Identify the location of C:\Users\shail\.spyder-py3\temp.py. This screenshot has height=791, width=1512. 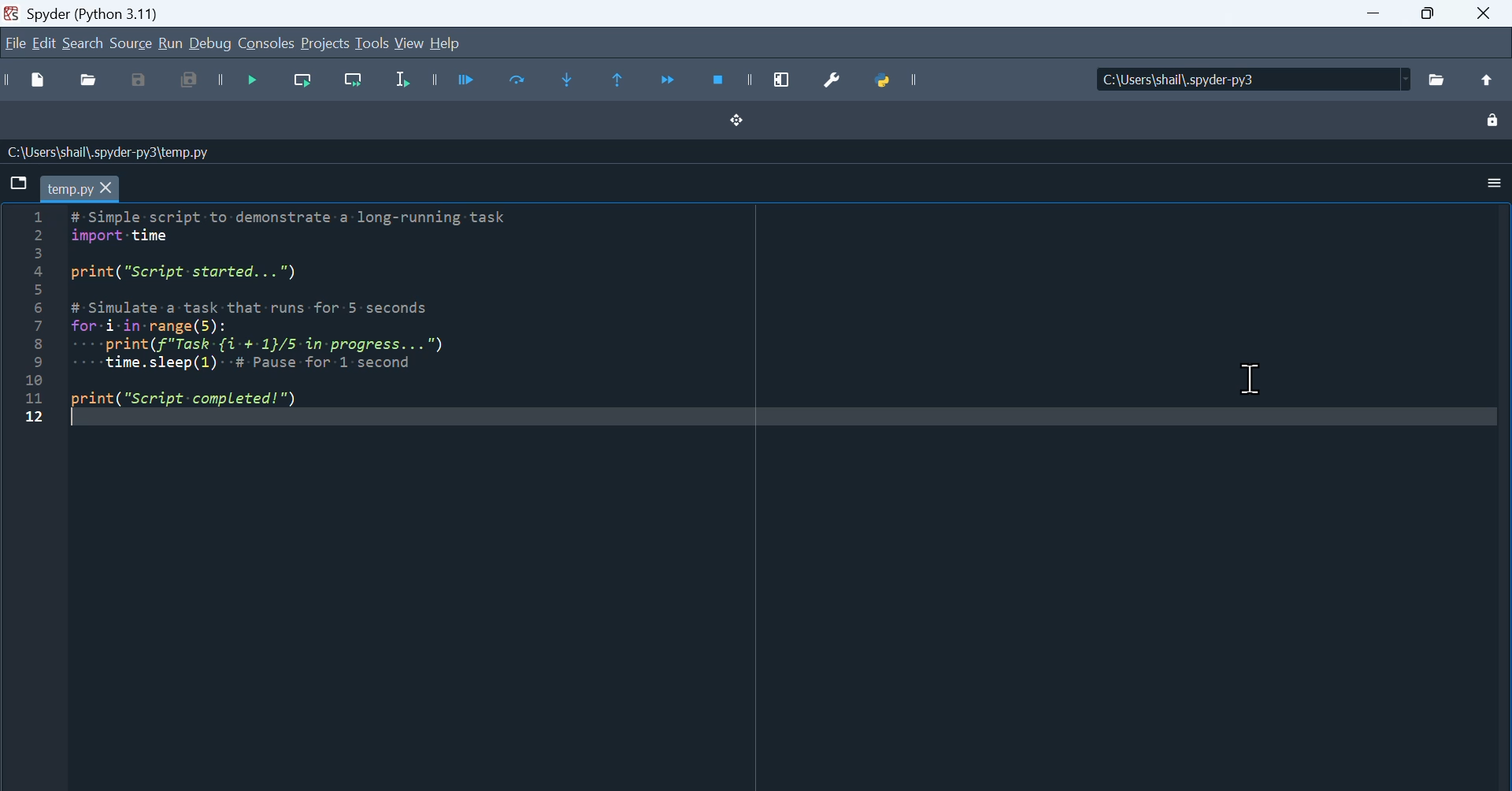
(110, 153).